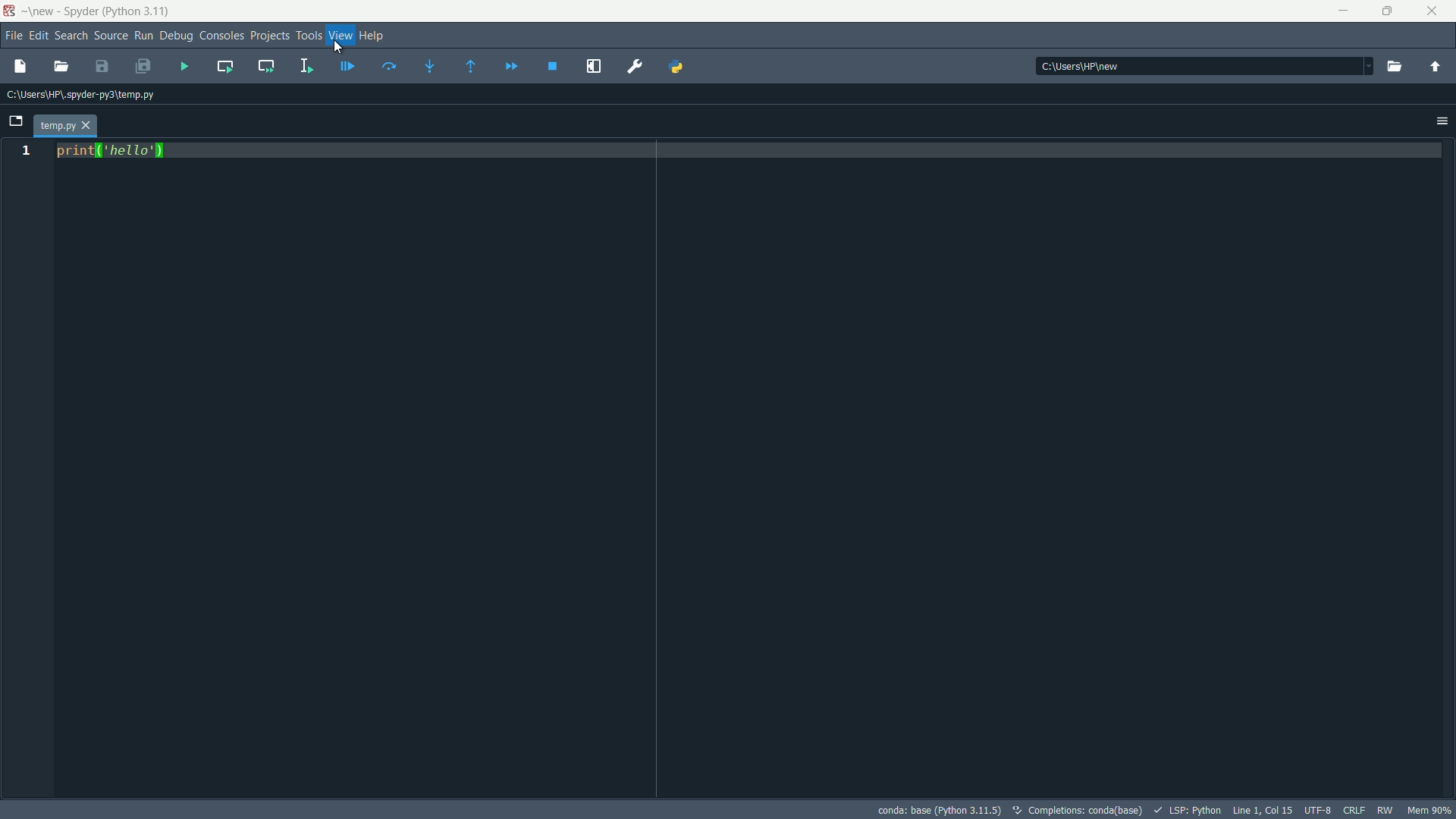  Describe the element at coordinates (338, 48) in the screenshot. I see `cursor` at that location.